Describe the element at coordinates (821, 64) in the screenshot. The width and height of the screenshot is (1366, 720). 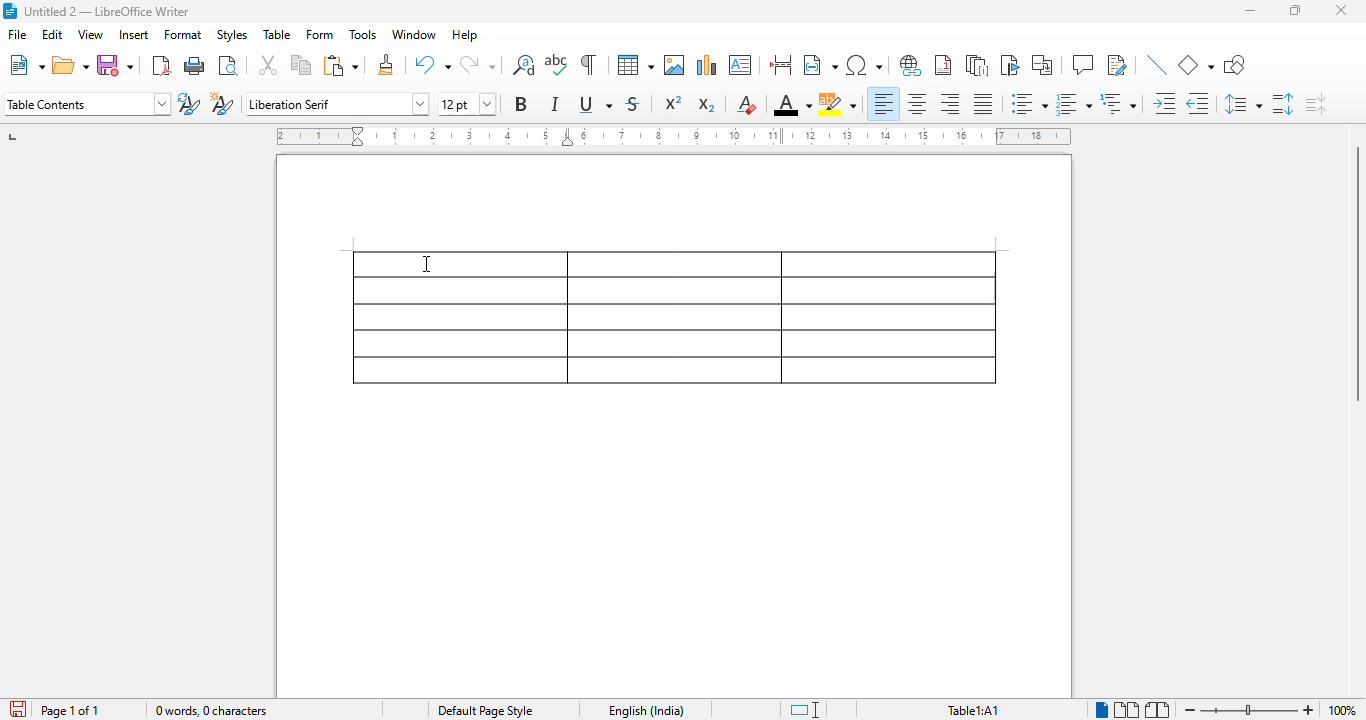
I see `insert field` at that location.